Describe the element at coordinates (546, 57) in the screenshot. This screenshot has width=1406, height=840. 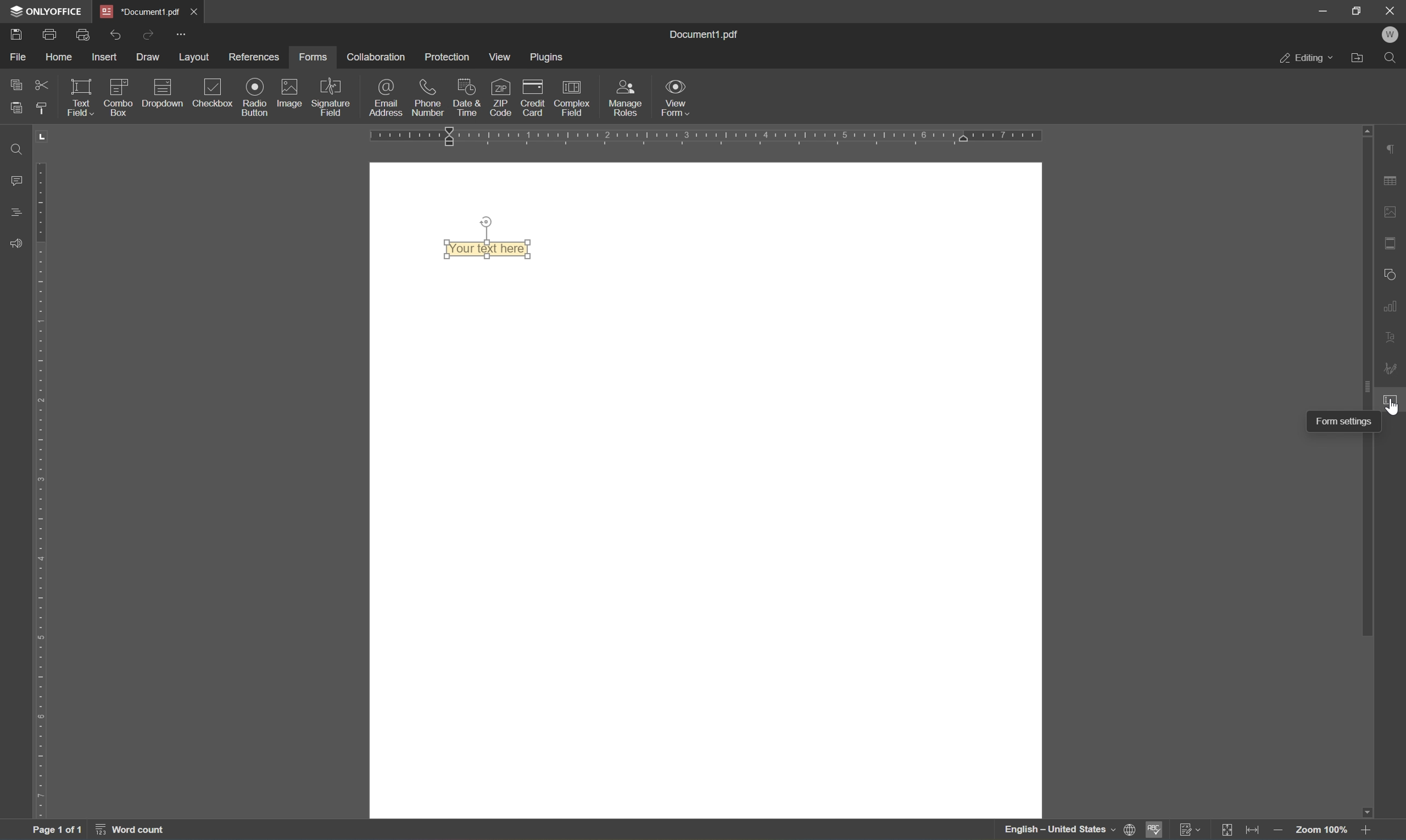
I see `plugins` at that location.